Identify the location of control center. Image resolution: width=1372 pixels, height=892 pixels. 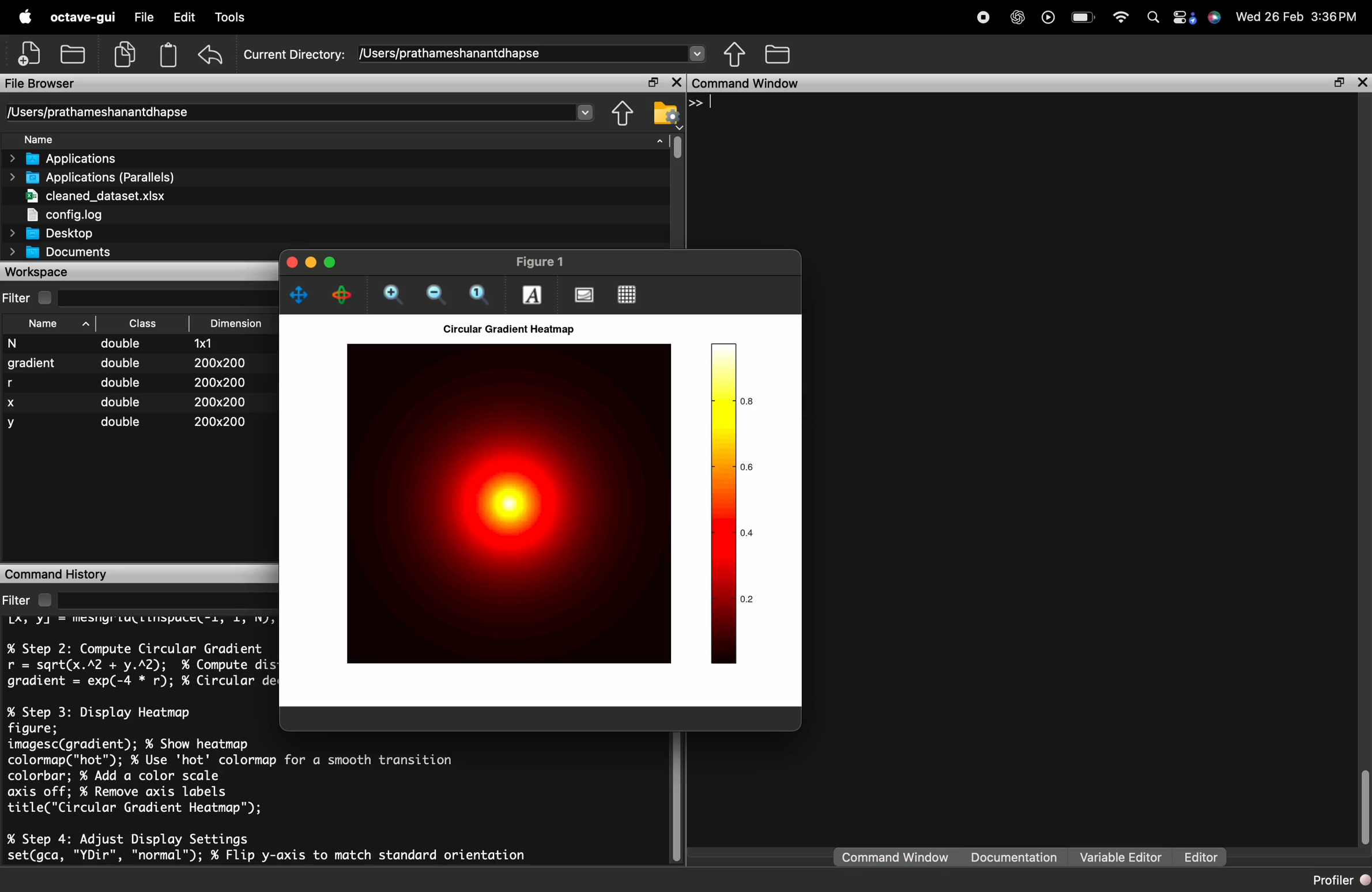
(1185, 18).